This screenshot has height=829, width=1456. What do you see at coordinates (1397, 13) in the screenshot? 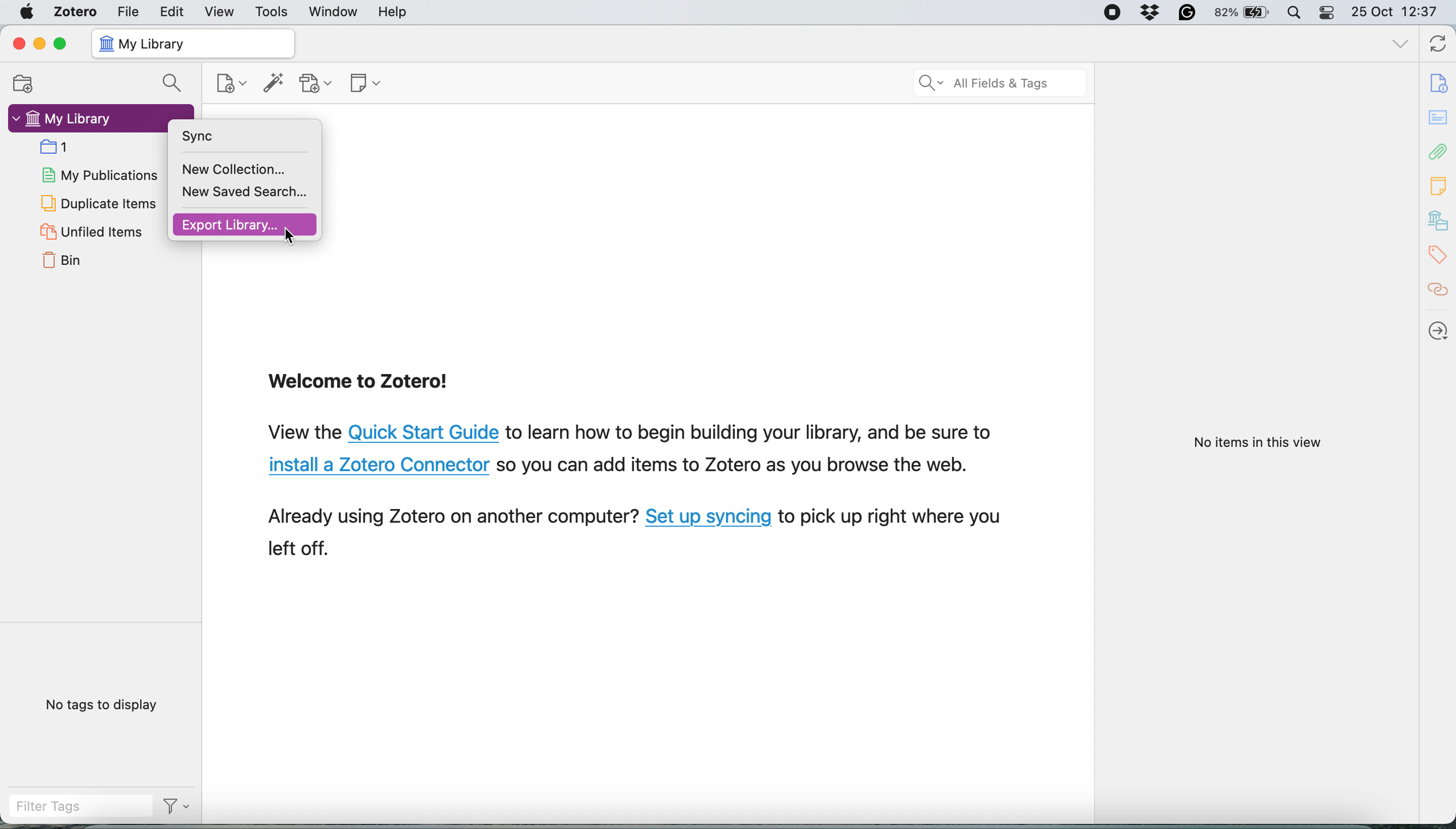
I see `25 Oct 12:37` at bounding box center [1397, 13].